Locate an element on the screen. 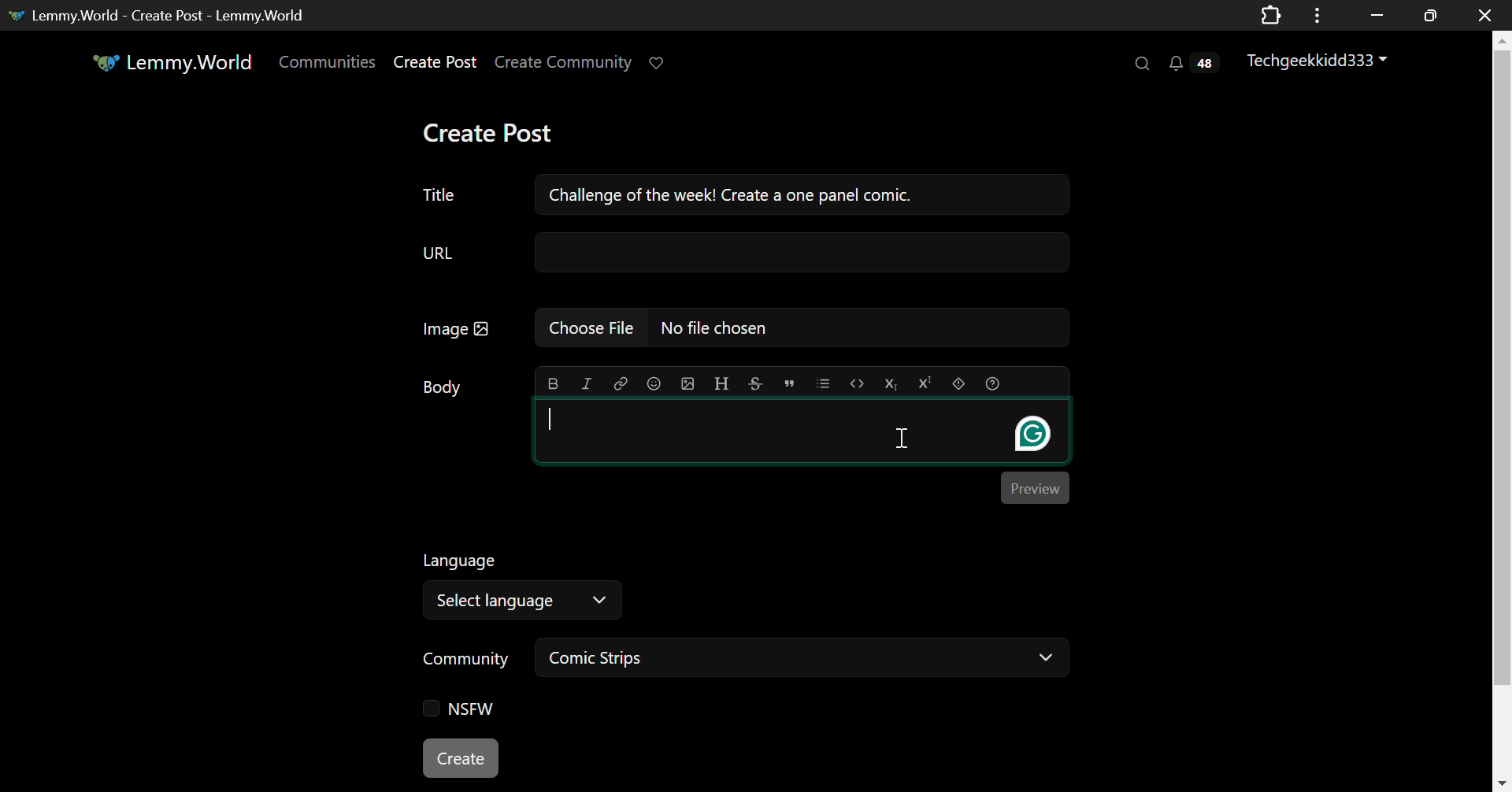 Image resolution: width=1512 pixels, height=792 pixels. Title: Challenge of the week! Create a one pane comic. is located at coordinates (745, 192).